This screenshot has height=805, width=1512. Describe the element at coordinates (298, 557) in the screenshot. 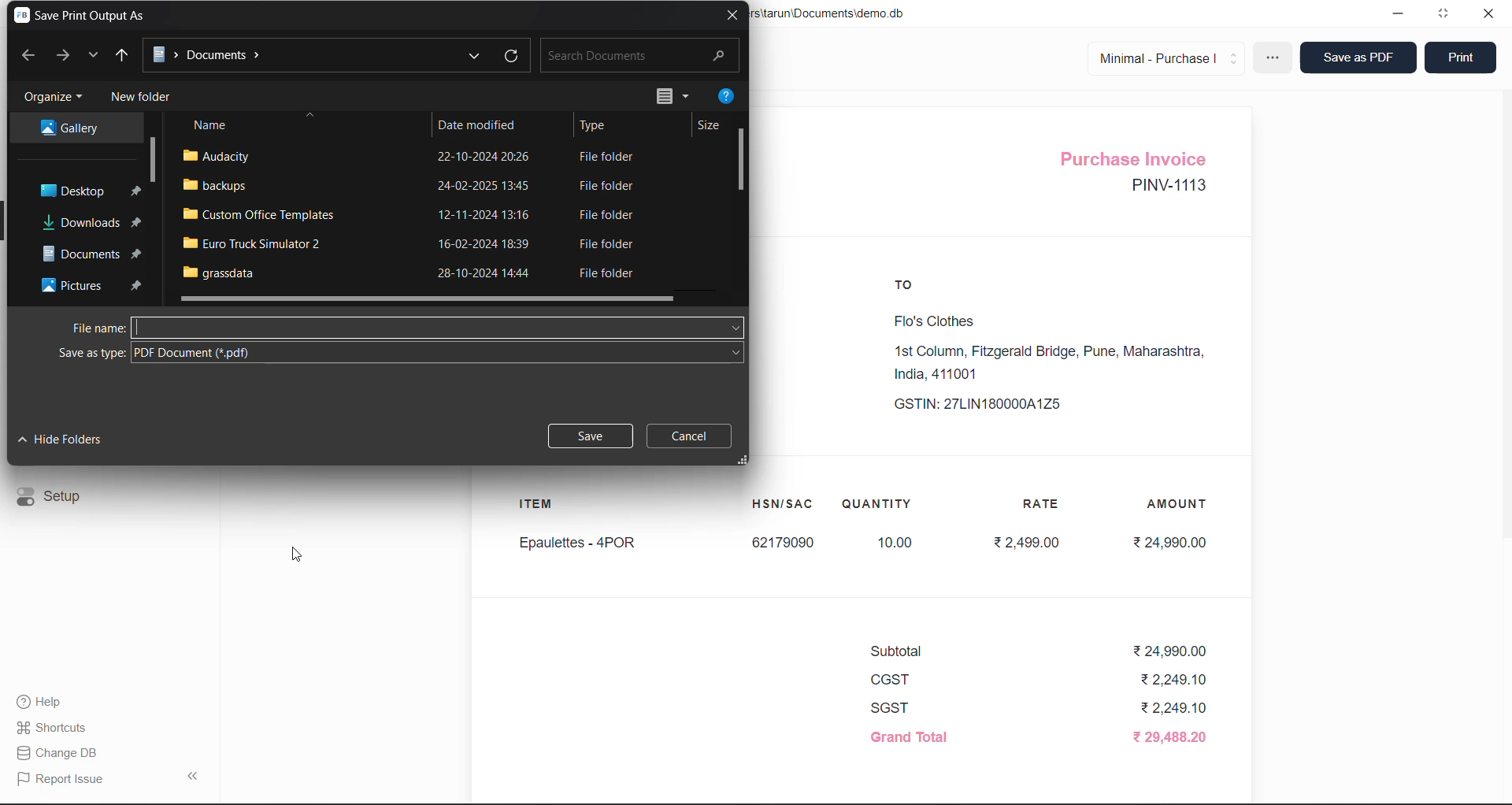

I see `cursor` at that location.